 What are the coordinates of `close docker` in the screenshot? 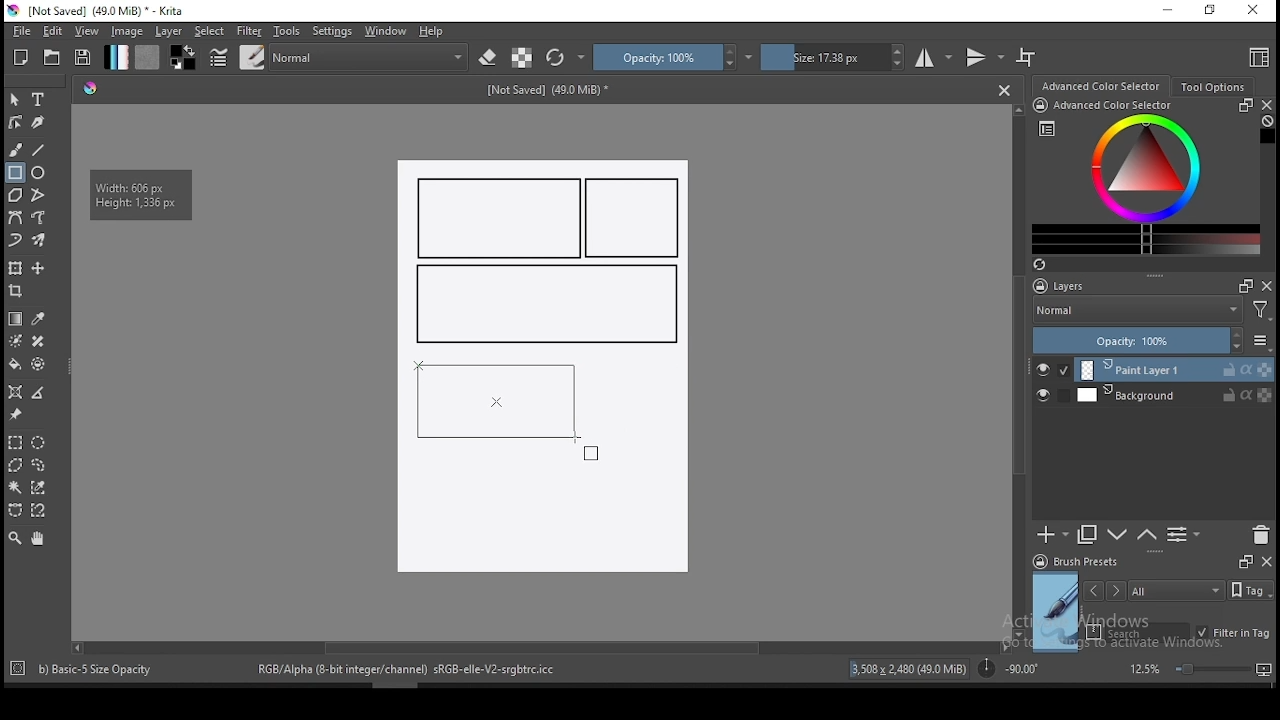 It's located at (1266, 105).